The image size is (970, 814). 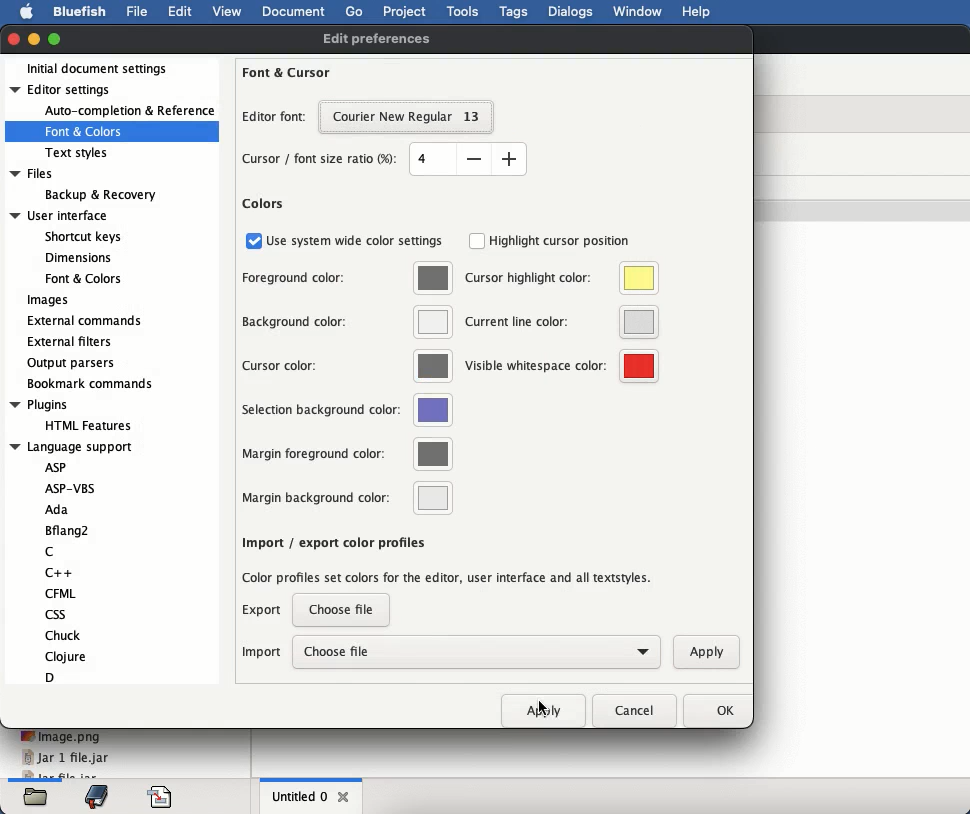 I want to click on project, so click(x=407, y=12).